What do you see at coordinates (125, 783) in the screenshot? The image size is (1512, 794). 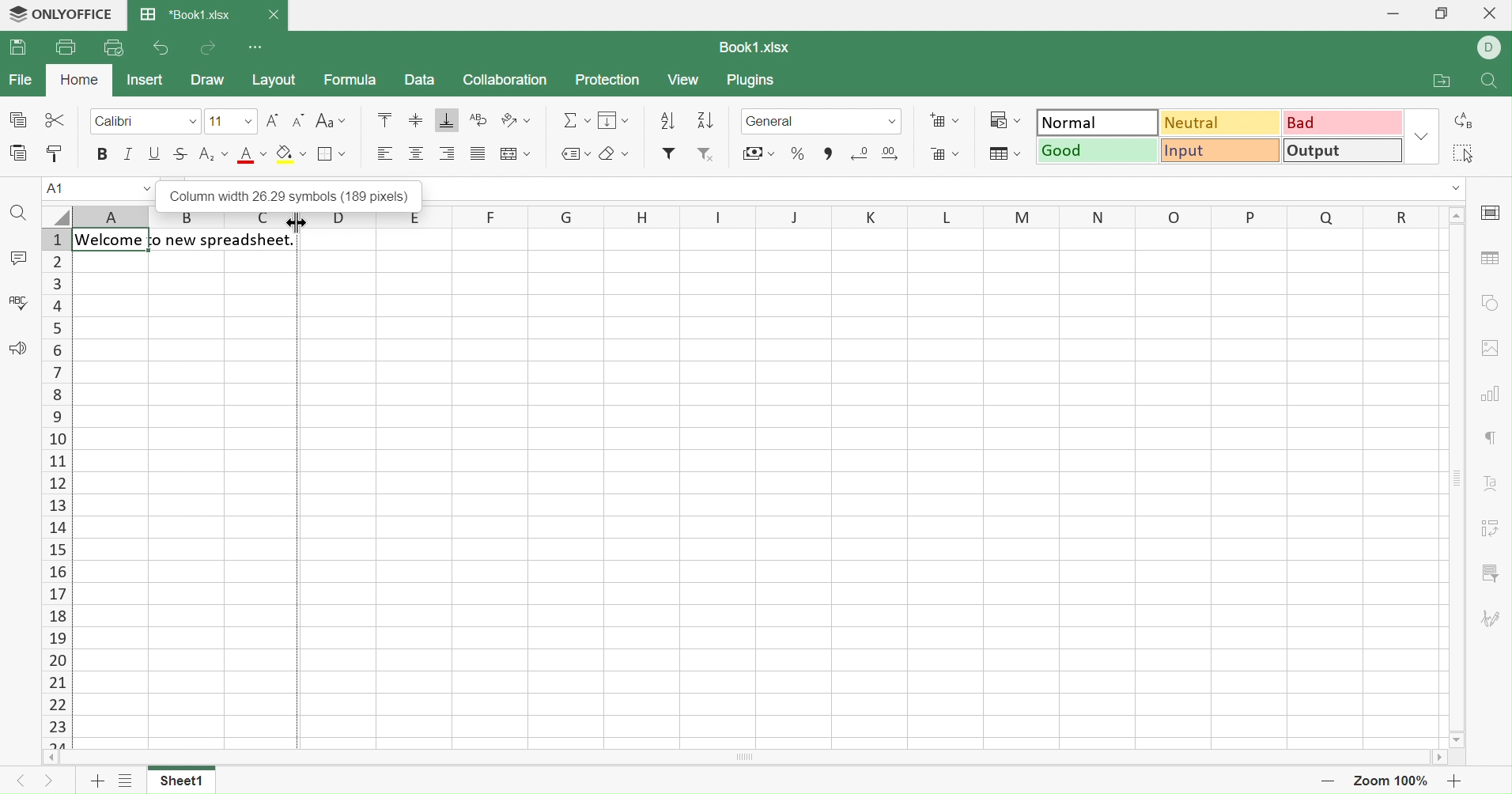 I see `List of sheets` at bounding box center [125, 783].